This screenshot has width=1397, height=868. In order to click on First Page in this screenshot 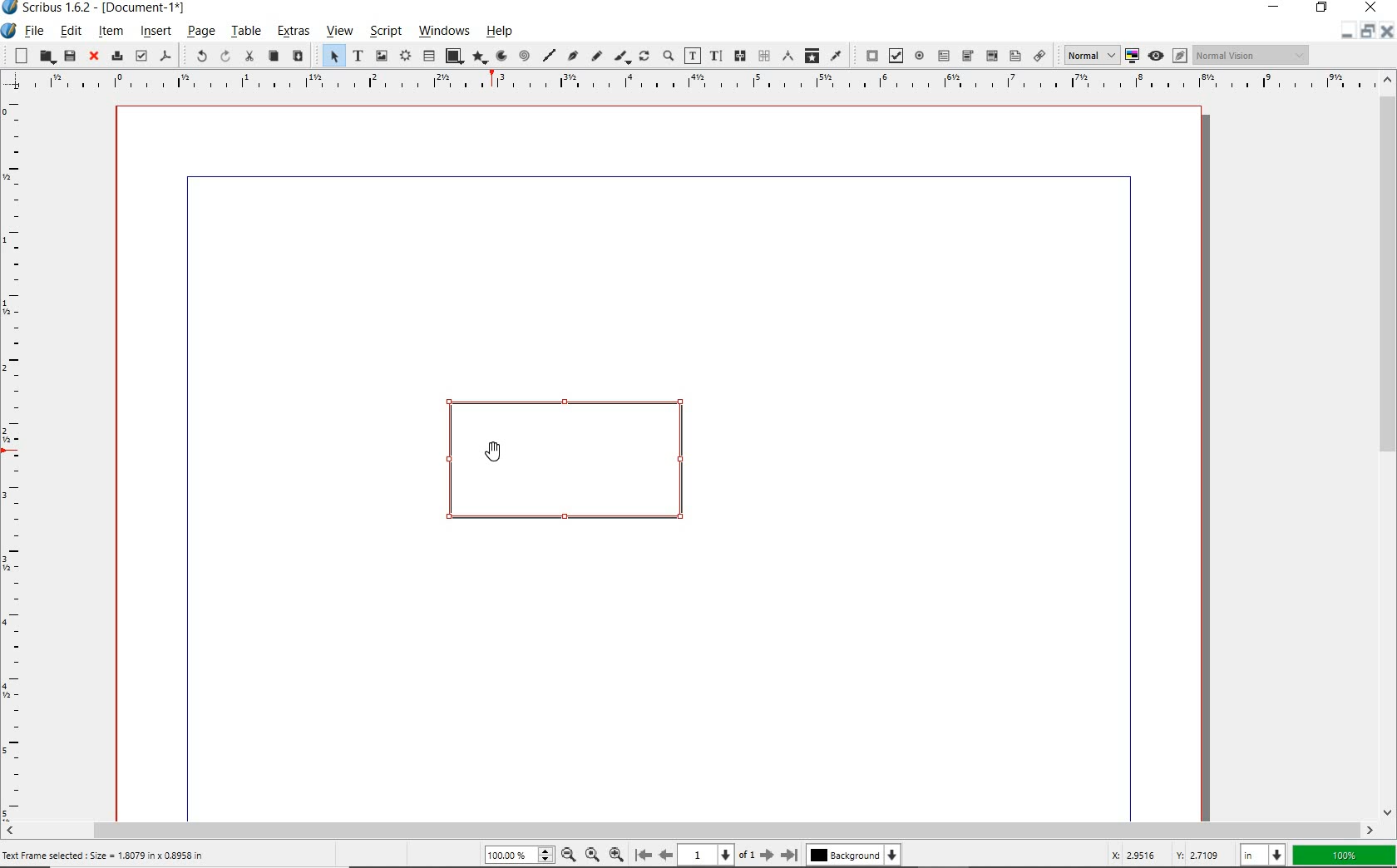, I will do `click(644, 856)`.